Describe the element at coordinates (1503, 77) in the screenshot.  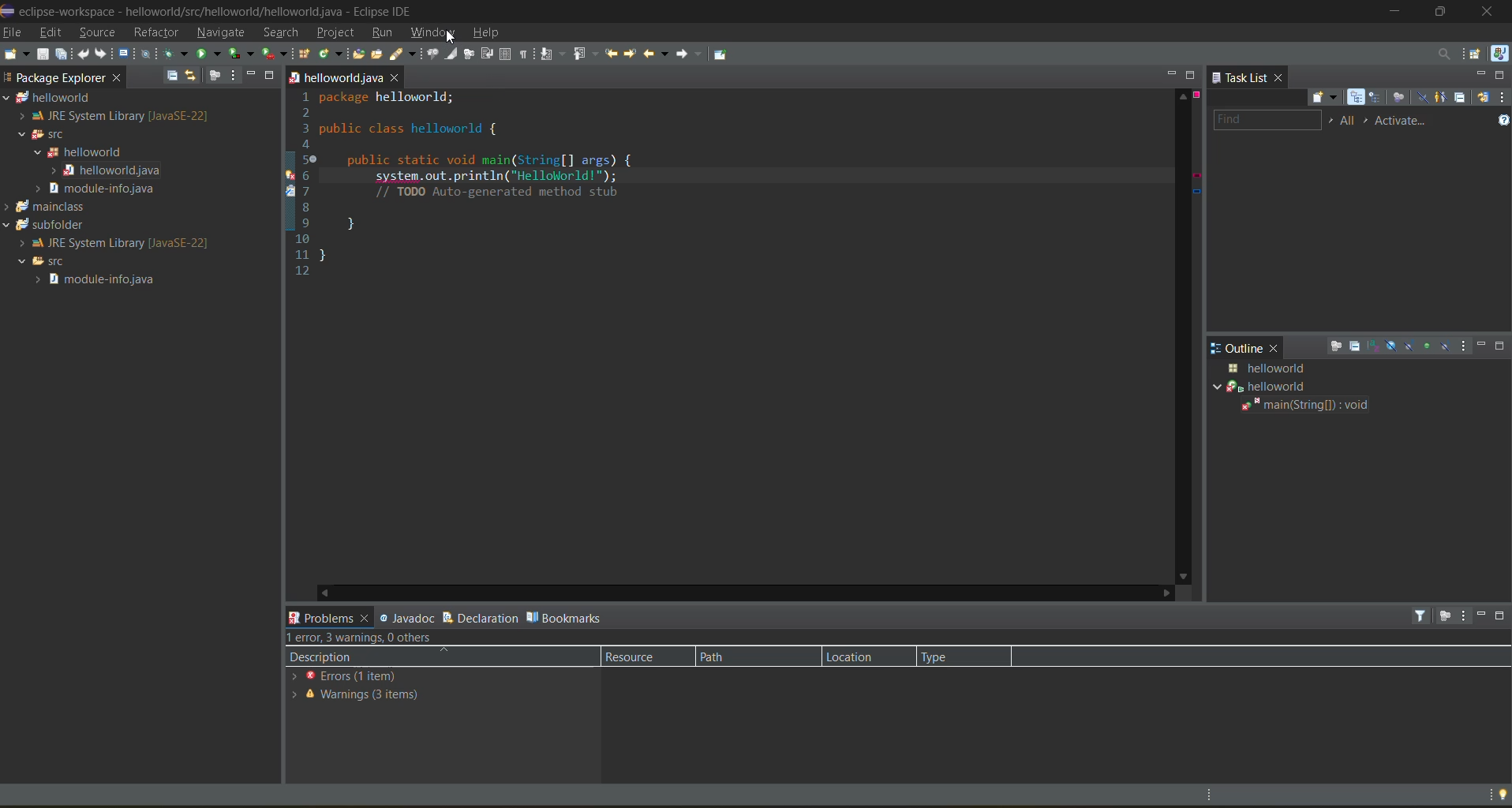
I see `maximize` at that location.